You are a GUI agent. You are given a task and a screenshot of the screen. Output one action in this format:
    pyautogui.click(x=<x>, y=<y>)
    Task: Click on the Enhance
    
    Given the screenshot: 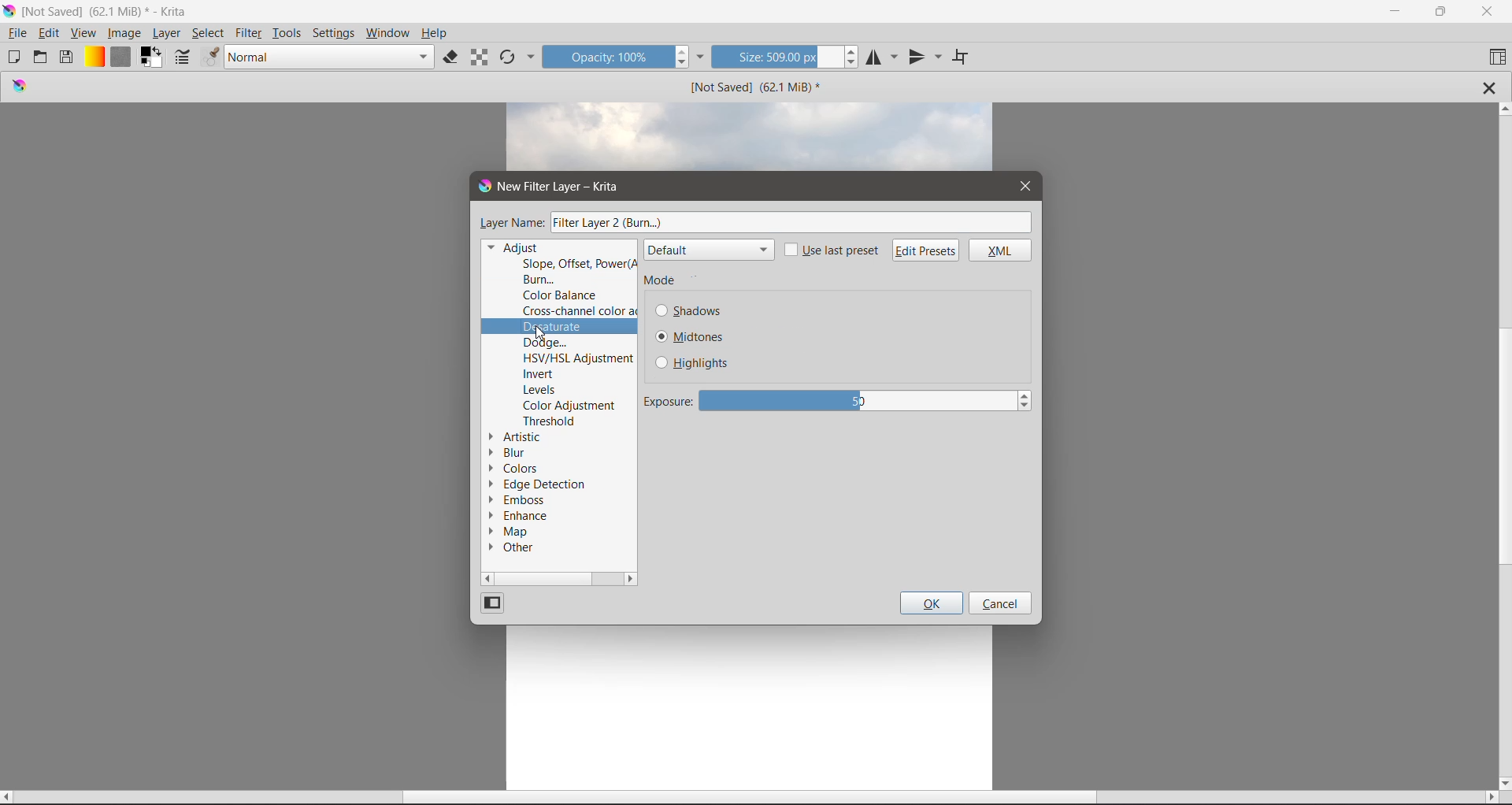 What is the action you would take?
    pyautogui.click(x=521, y=516)
    